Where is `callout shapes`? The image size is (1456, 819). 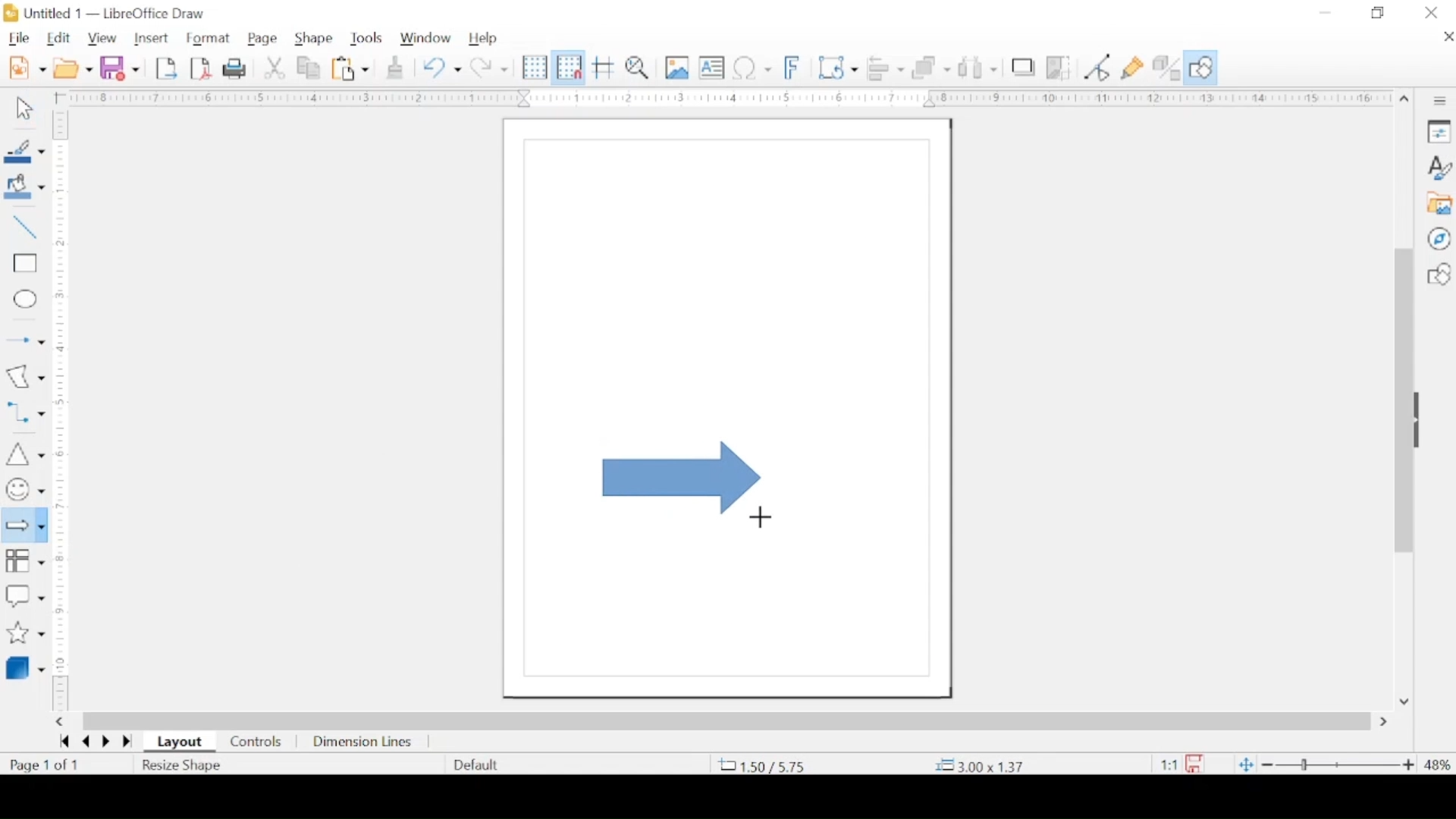 callout shapes is located at coordinates (24, 597).